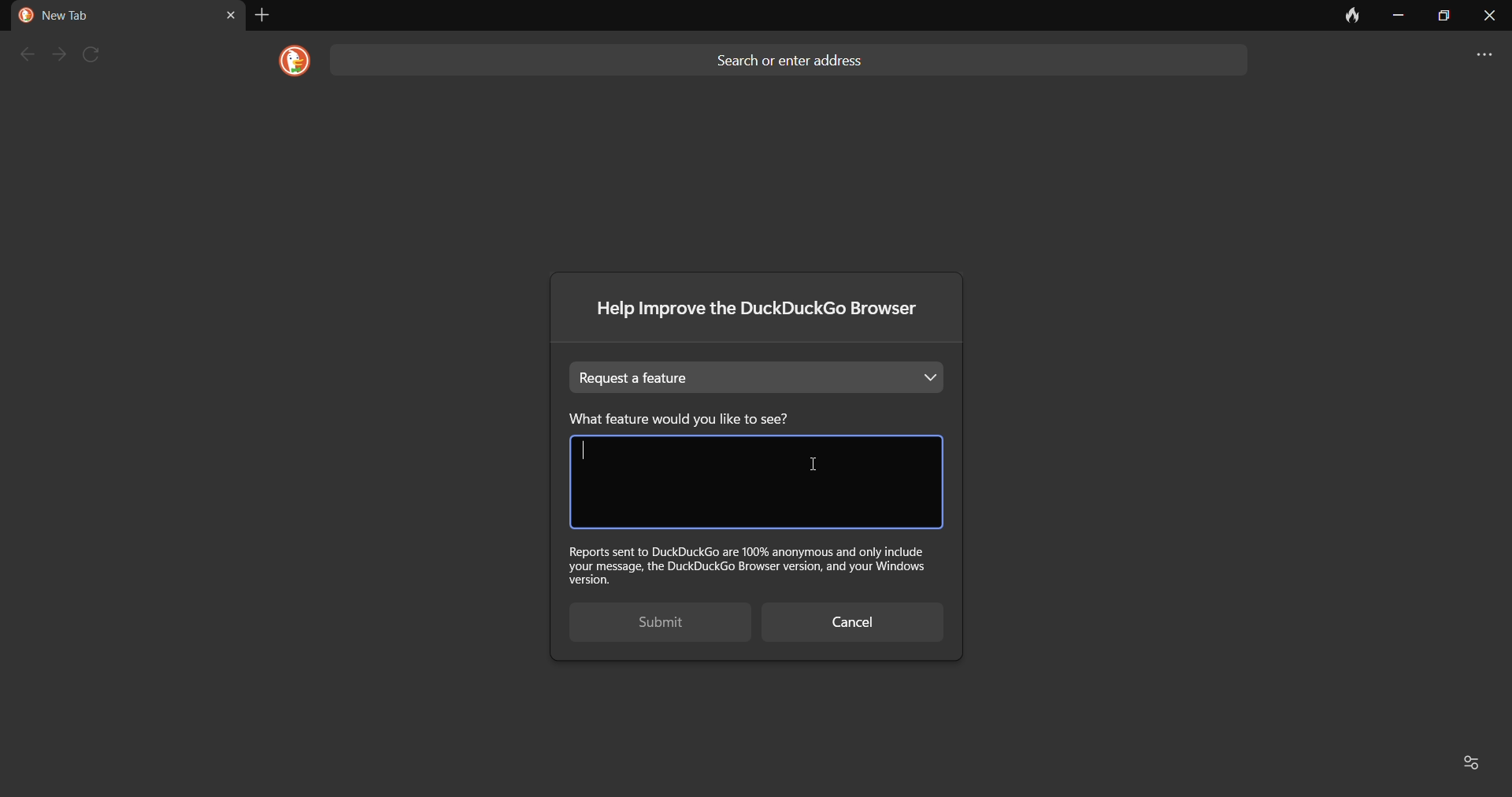  What do you see at coordinates (1474, 761) in the screenshot?
I see `Favorites and recent activity` at bounding box center [1474, 761].